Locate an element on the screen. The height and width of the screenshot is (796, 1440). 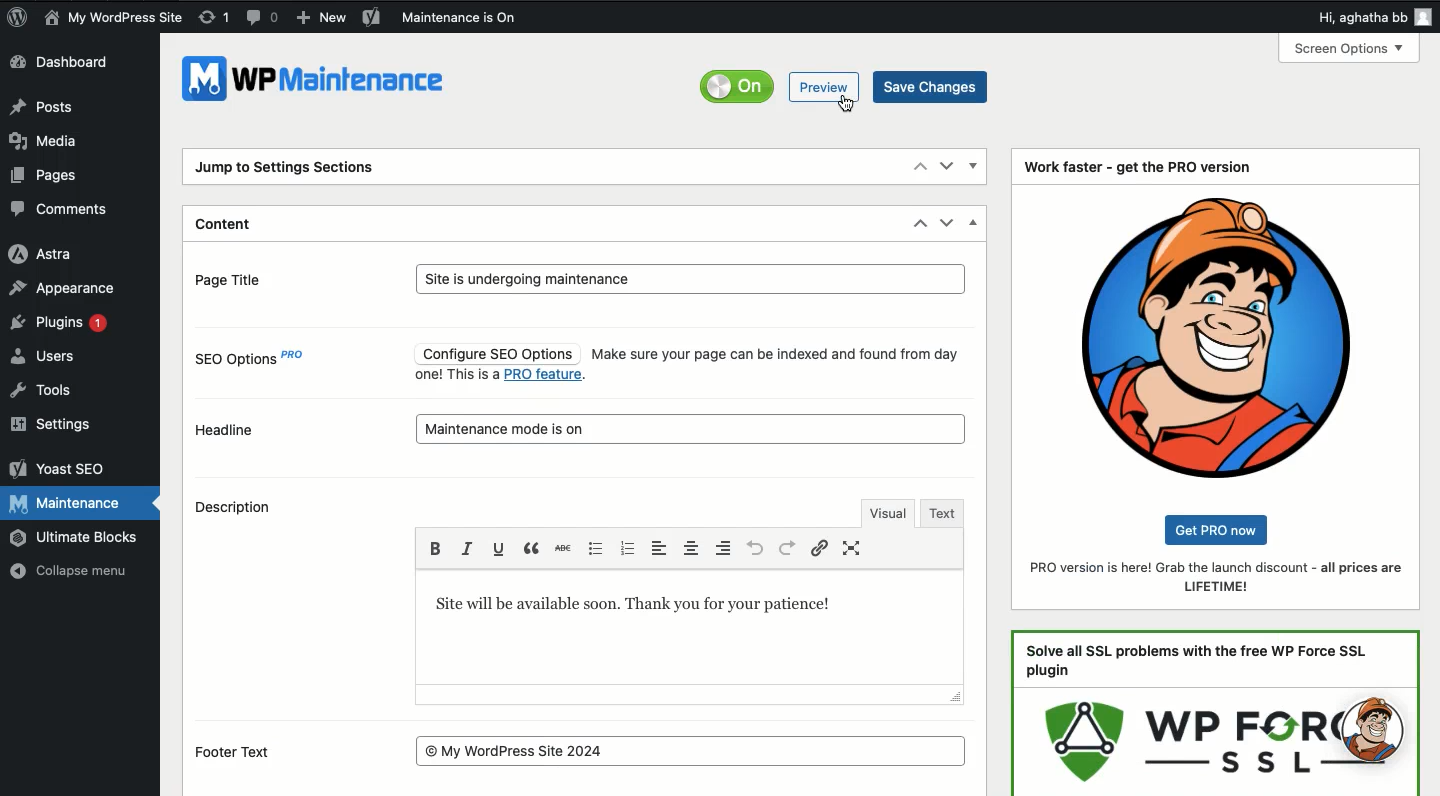
Content is located at coordinates (228, 226).